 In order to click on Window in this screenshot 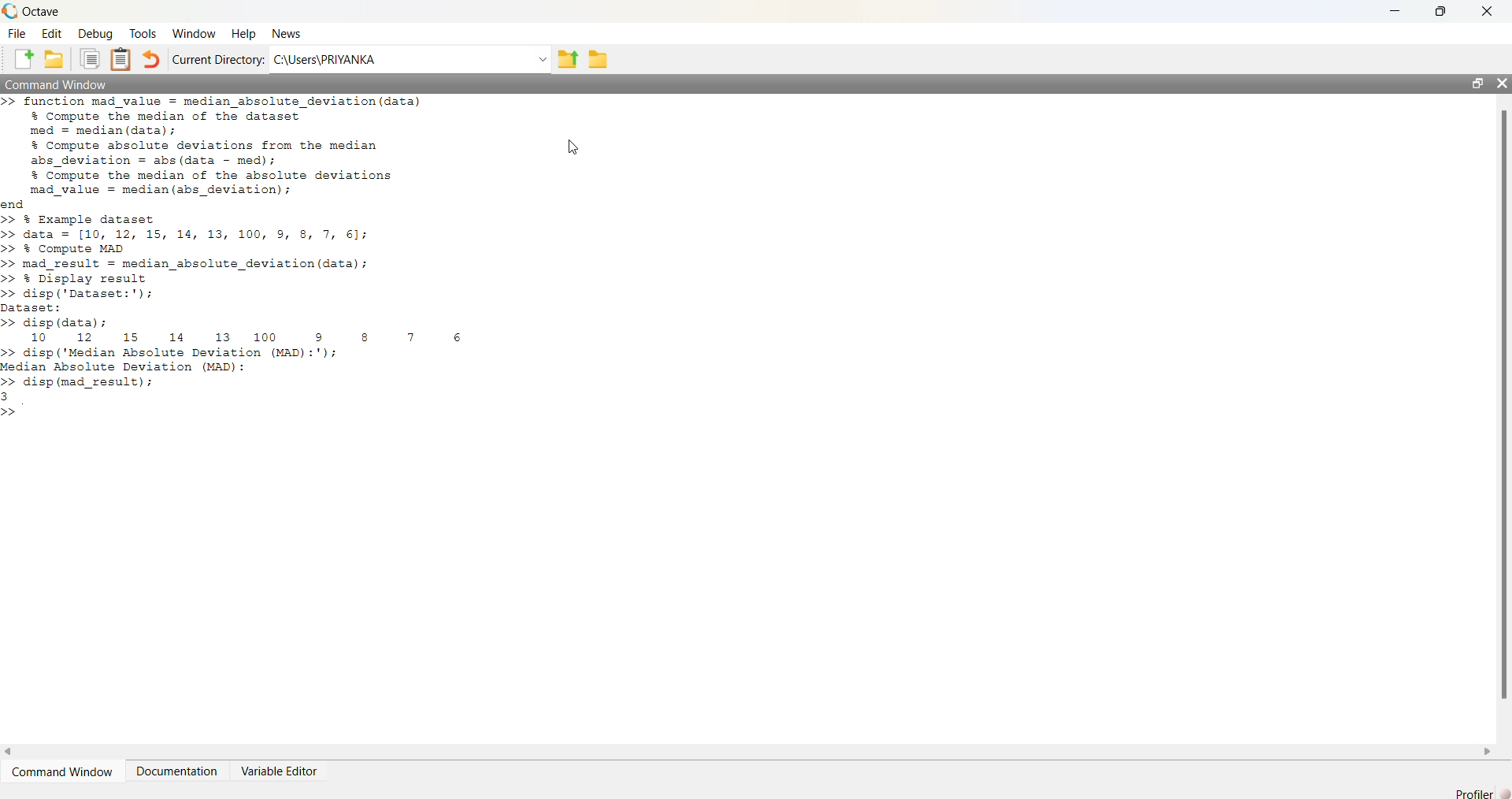, I will do `click(195, 33)`.